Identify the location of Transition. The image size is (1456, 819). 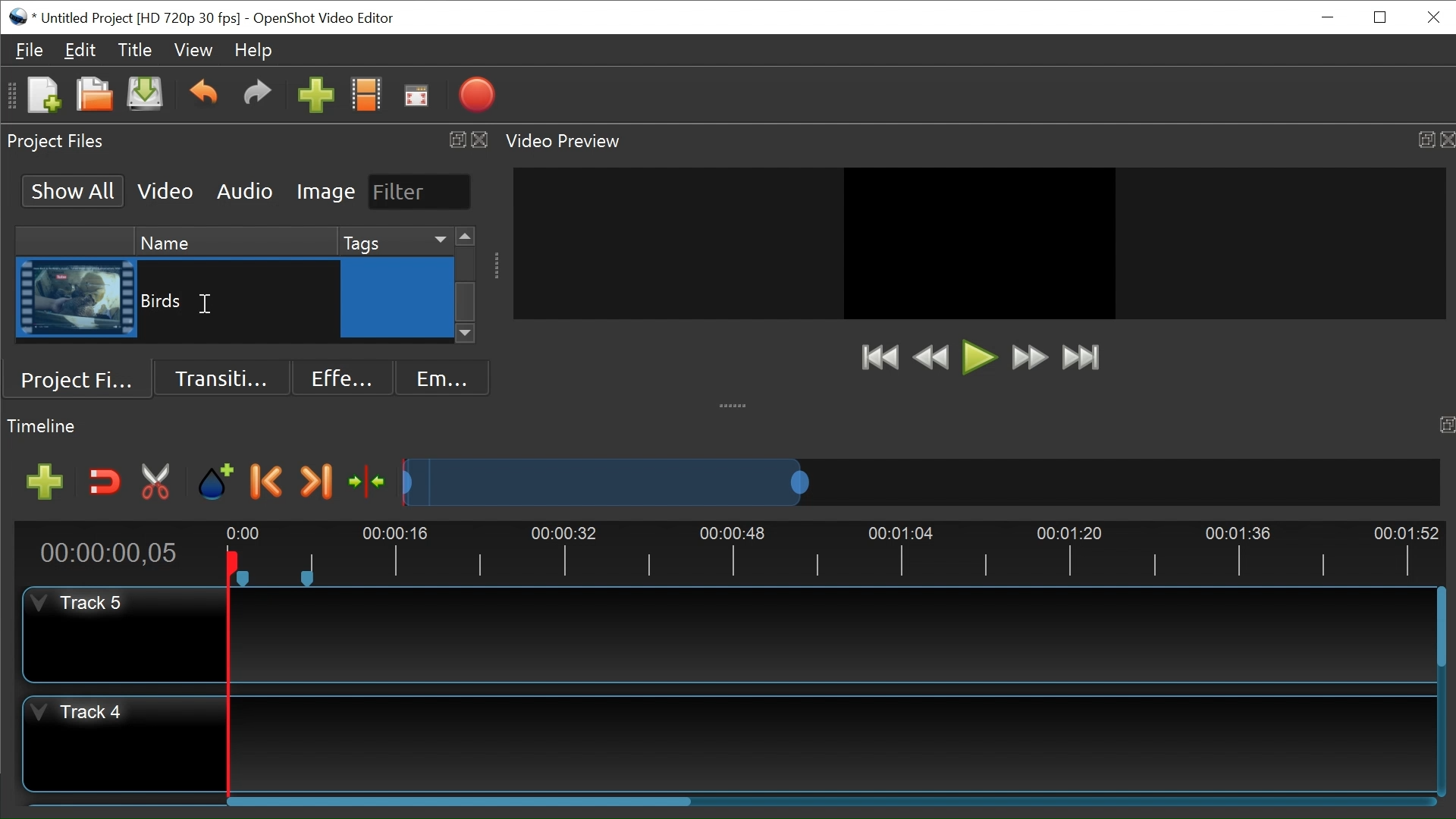
(224, 376).